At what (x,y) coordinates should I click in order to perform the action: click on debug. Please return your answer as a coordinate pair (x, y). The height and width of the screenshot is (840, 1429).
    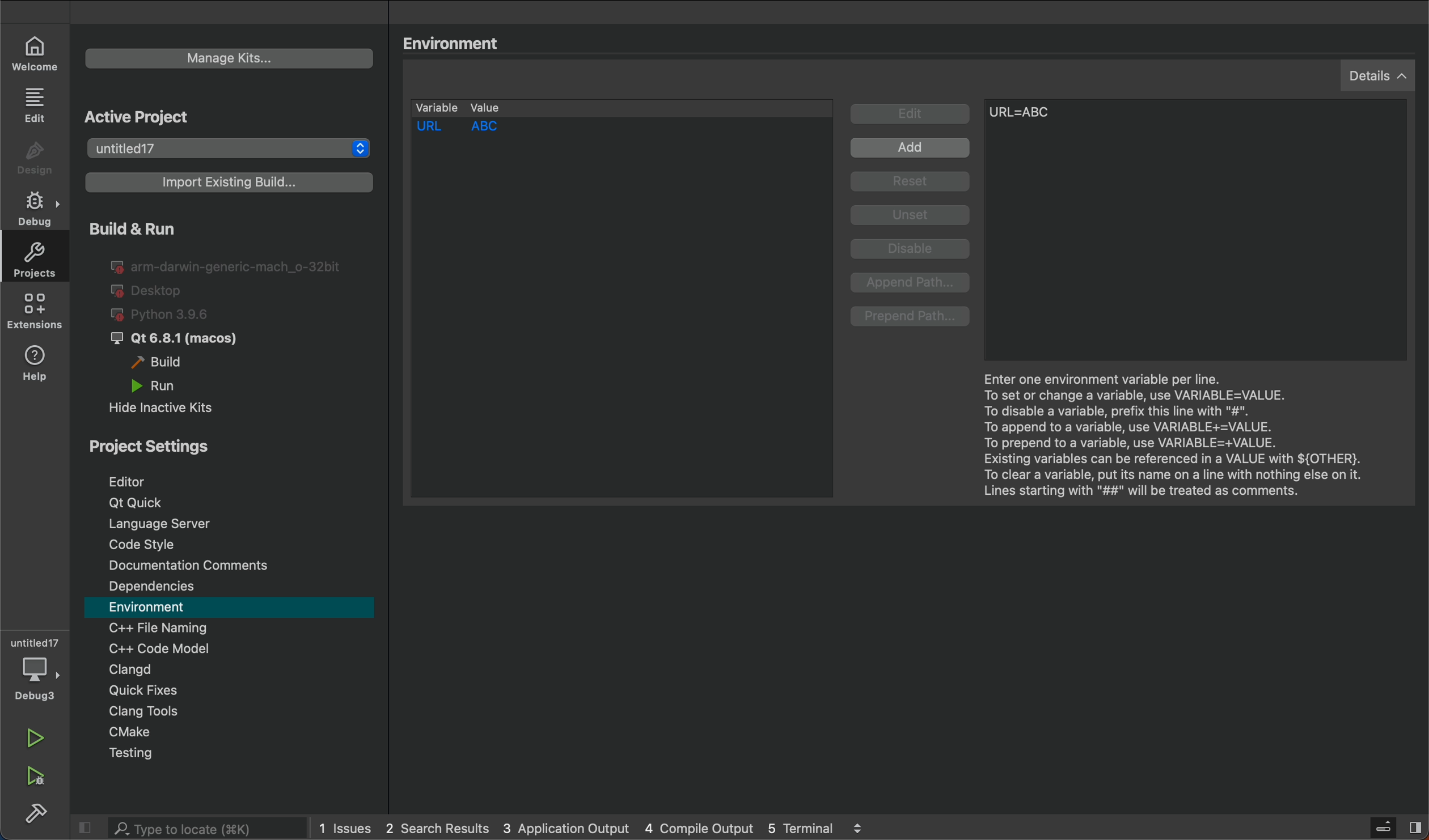
    Looking at the image, I should click on (38, 205).